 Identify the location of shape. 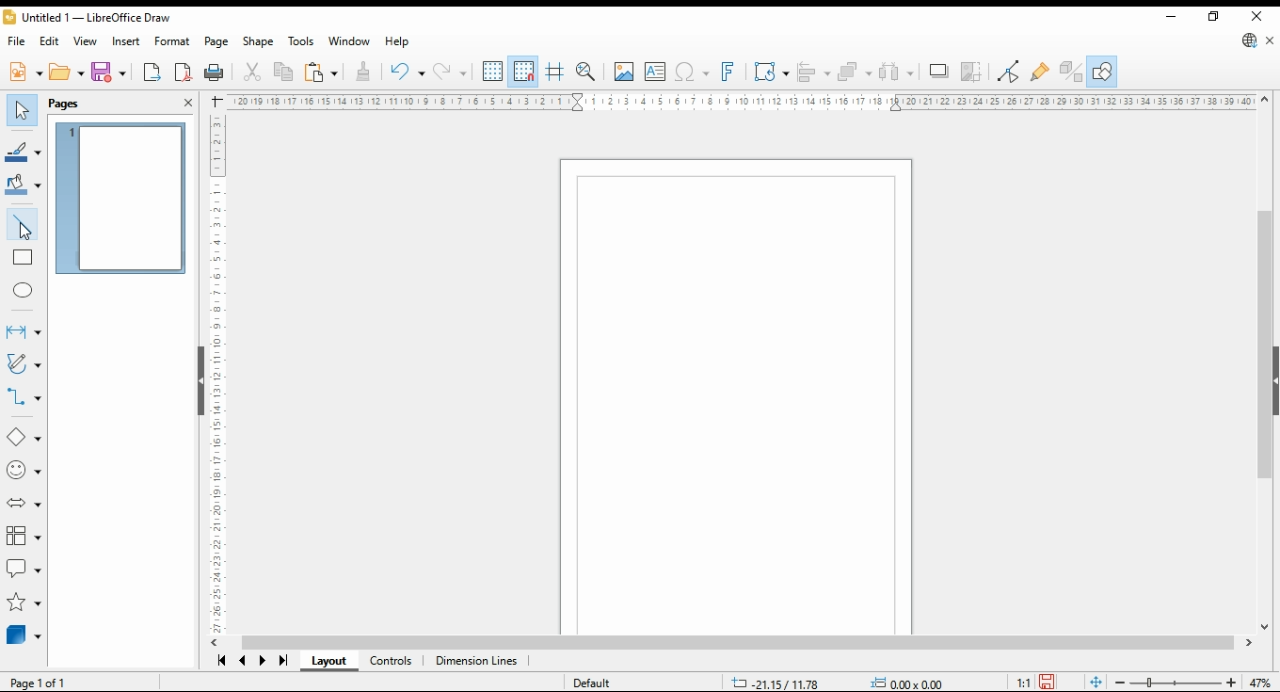
(258, 42).